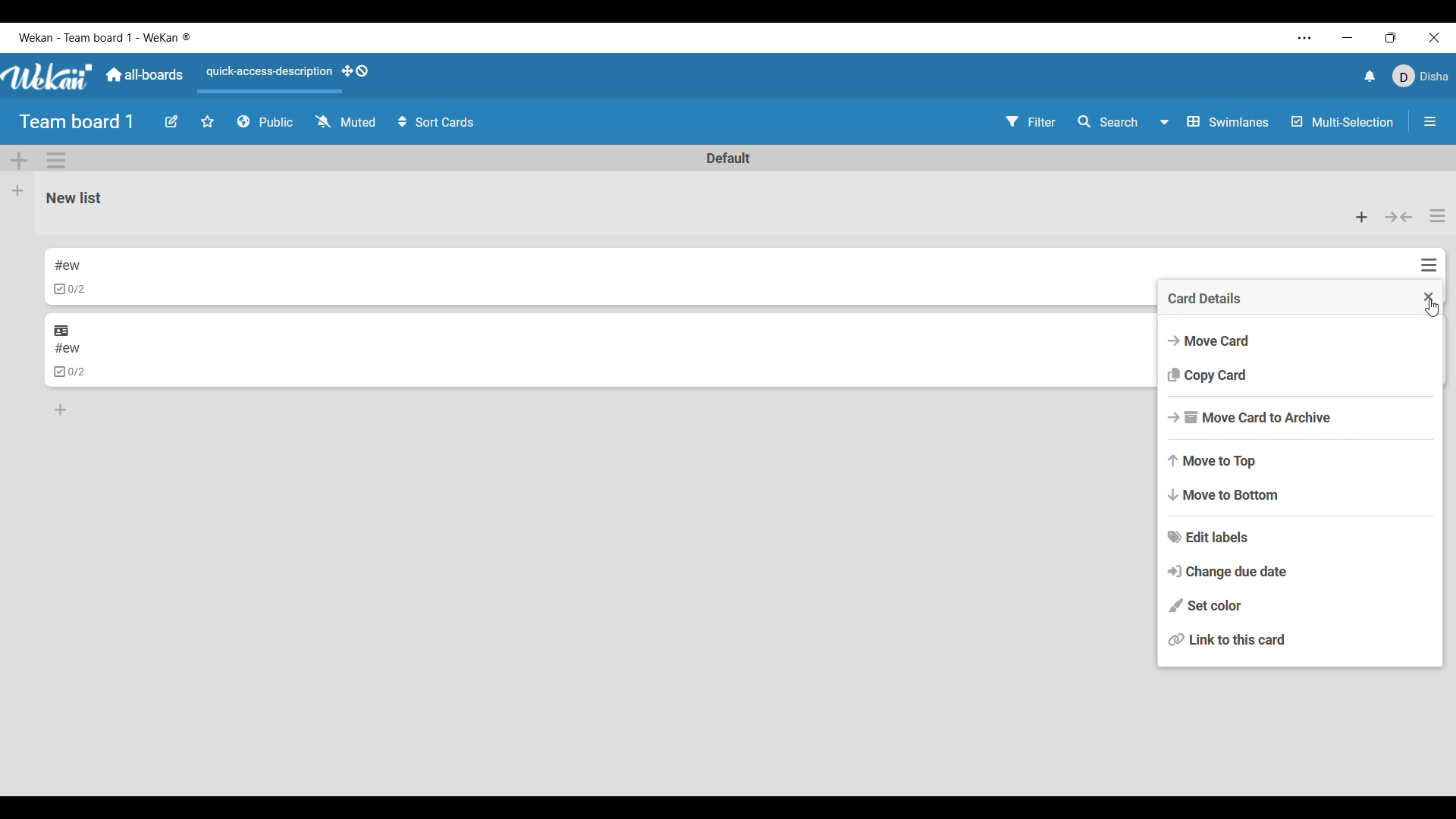 The image size is (1456, 819). Describe the element at coordinates (1214, 121) in the screenshot. I see `Board view options` at that location.